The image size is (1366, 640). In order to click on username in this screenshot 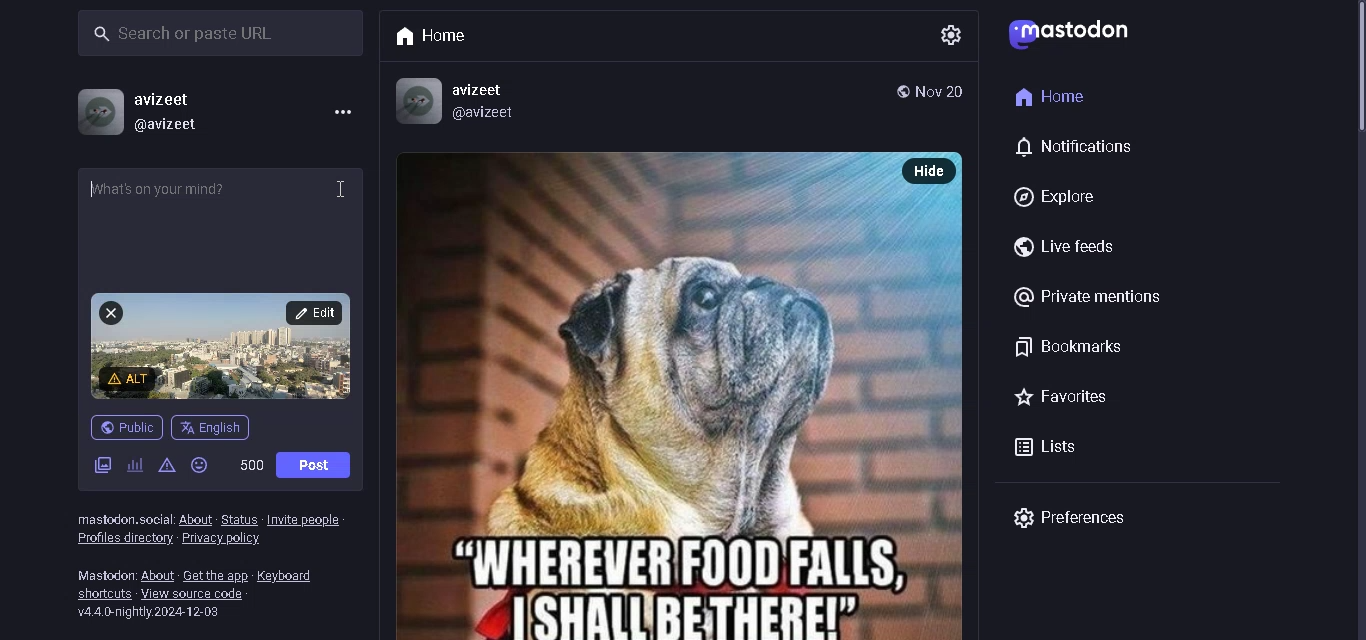, I will do `click(171, 98)`.